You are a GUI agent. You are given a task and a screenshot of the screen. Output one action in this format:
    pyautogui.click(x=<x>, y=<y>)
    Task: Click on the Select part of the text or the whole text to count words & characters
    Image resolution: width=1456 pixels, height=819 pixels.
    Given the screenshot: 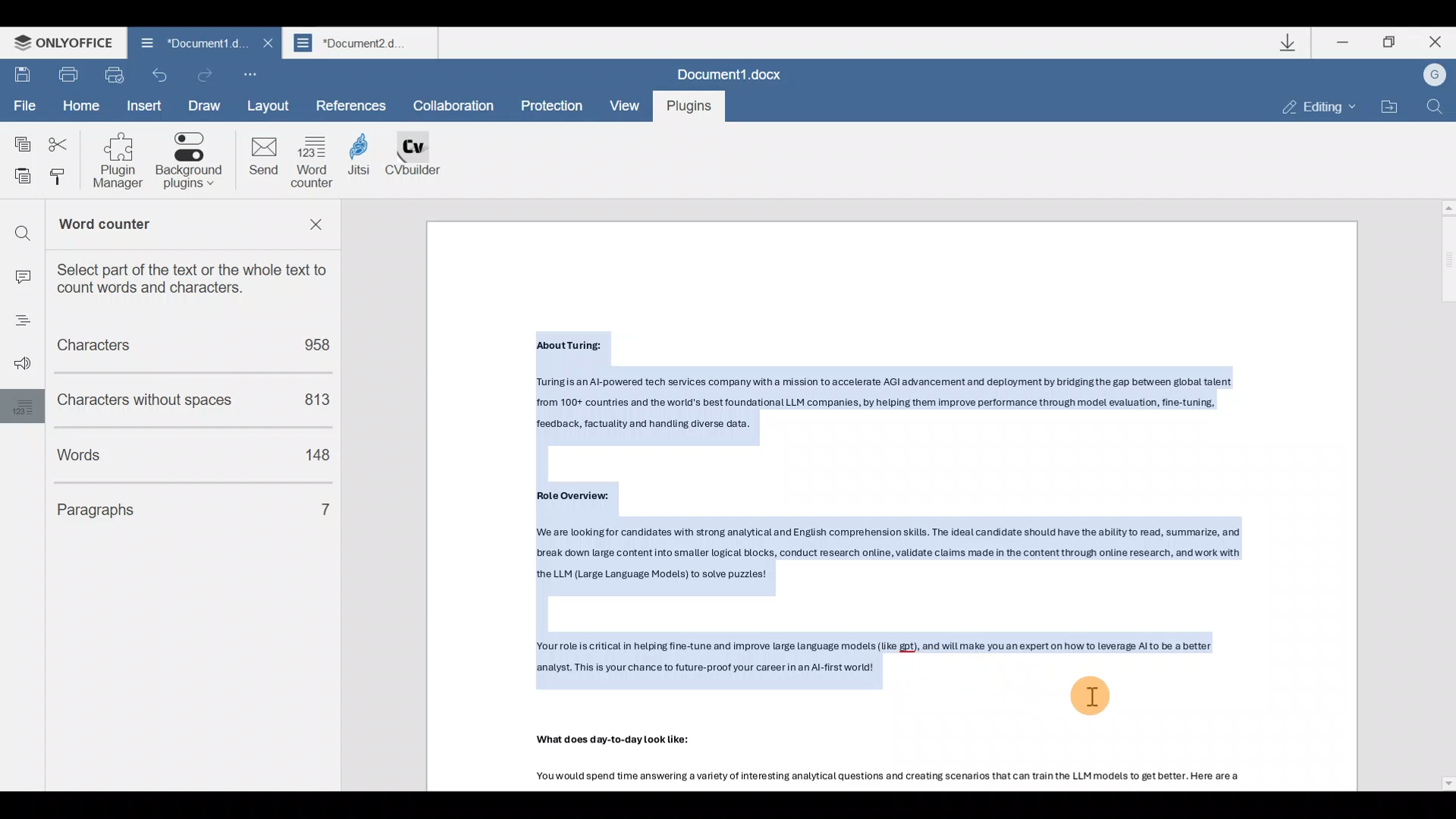 What is the action you would take?
    pyautogui.click(x=202, y=278)
    